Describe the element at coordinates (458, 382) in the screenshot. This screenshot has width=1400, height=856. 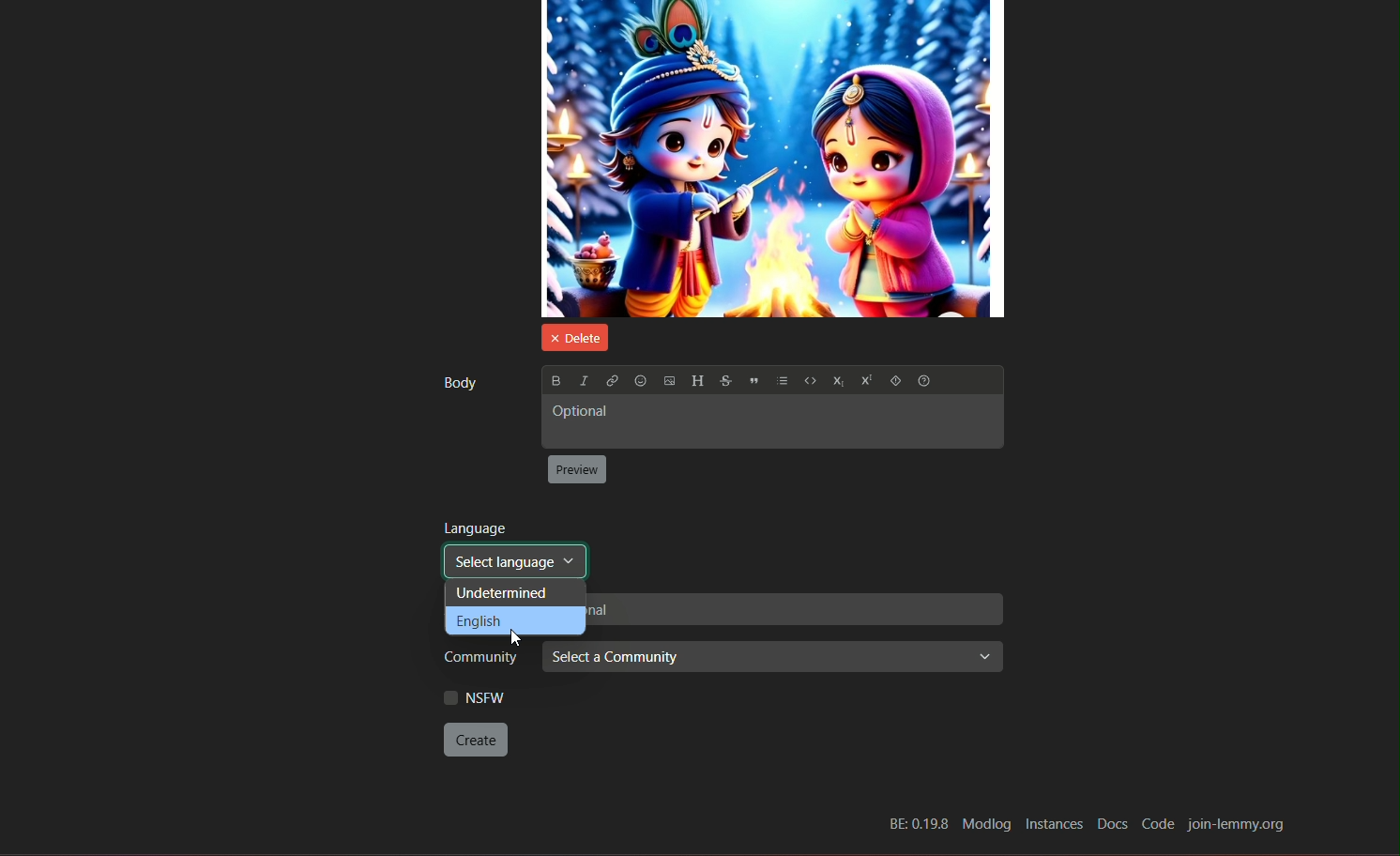
I see `body` at that location.